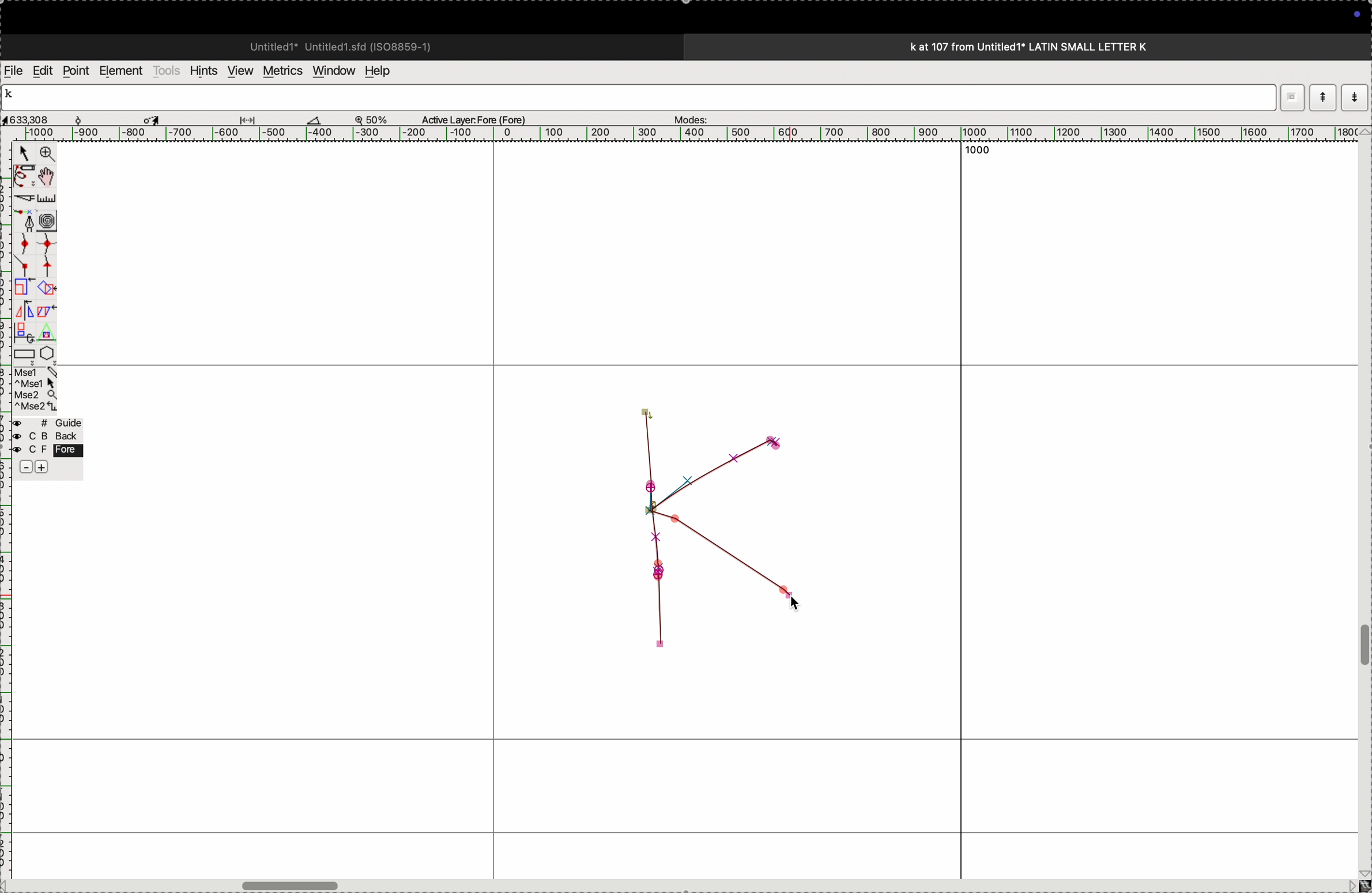  Describe the element at coordinates (14, 96) in the screenshot. I see `K` at that location.